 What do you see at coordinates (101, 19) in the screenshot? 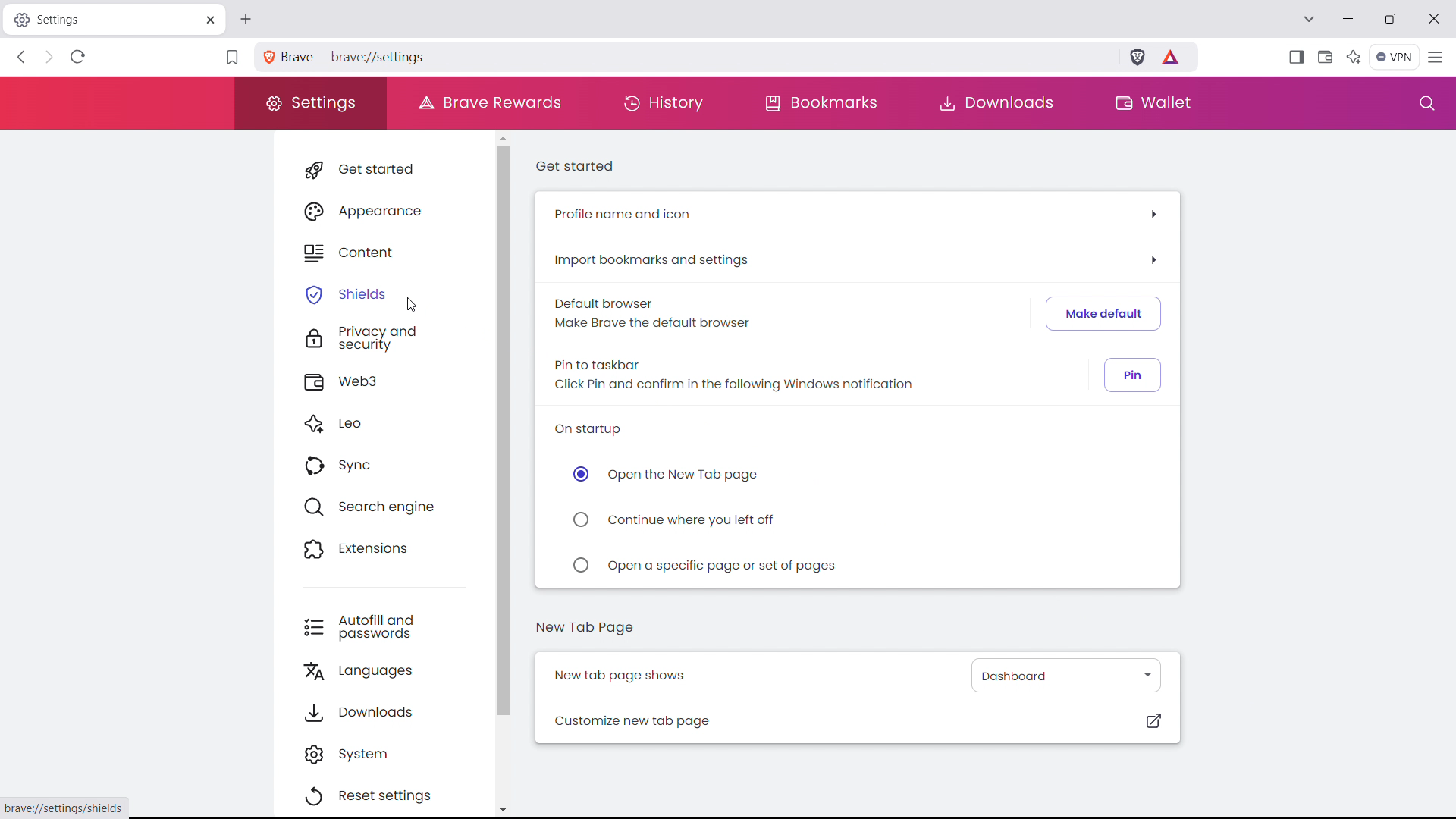
I see `tabtitle` at bounding box center [101, 19].